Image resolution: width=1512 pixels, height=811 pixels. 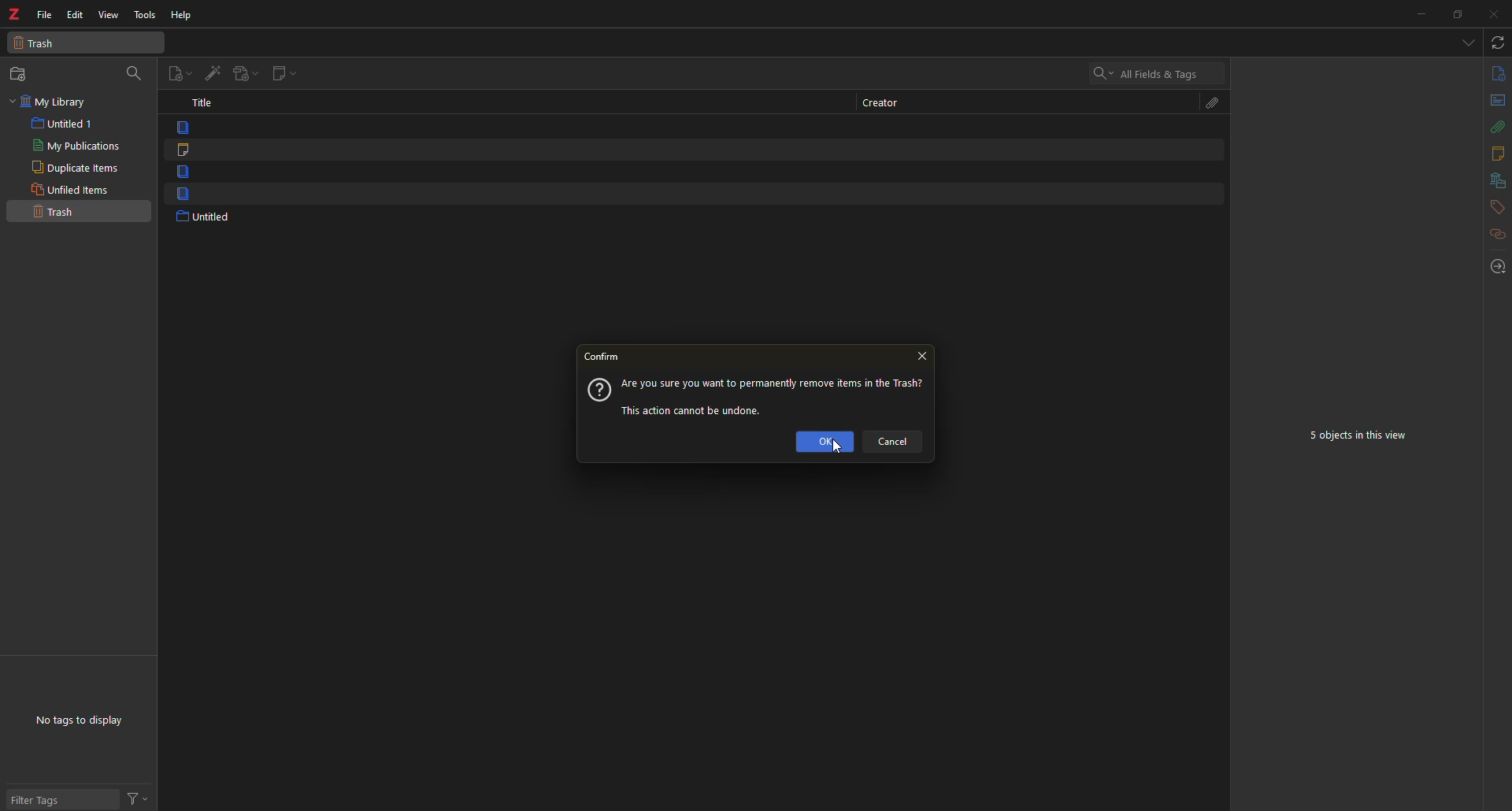 What do you see at coordinates (80, 146) in the screenshot?
I see `my pubications` at bounding box center [80, 146].